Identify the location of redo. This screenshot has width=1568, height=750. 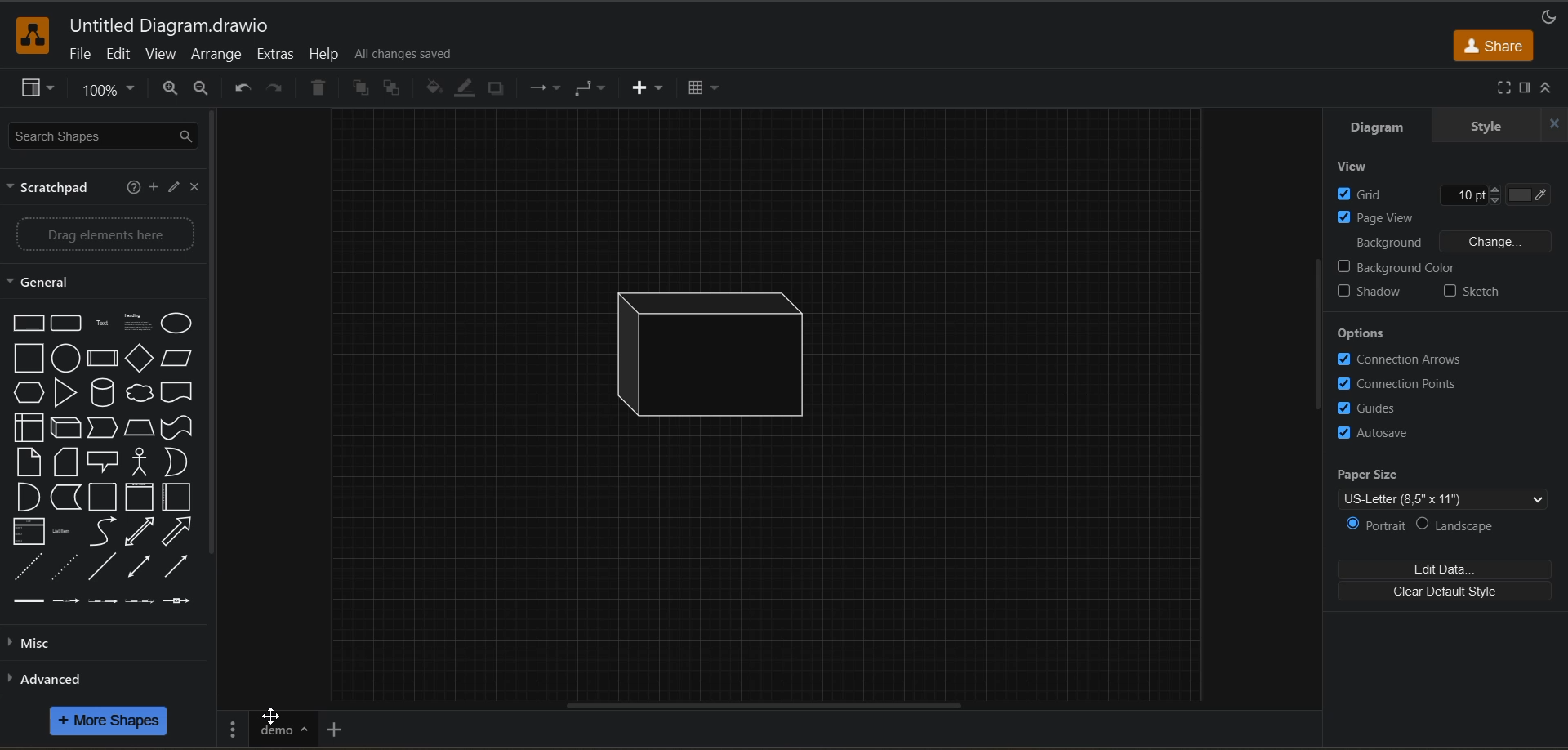
(278, 88).